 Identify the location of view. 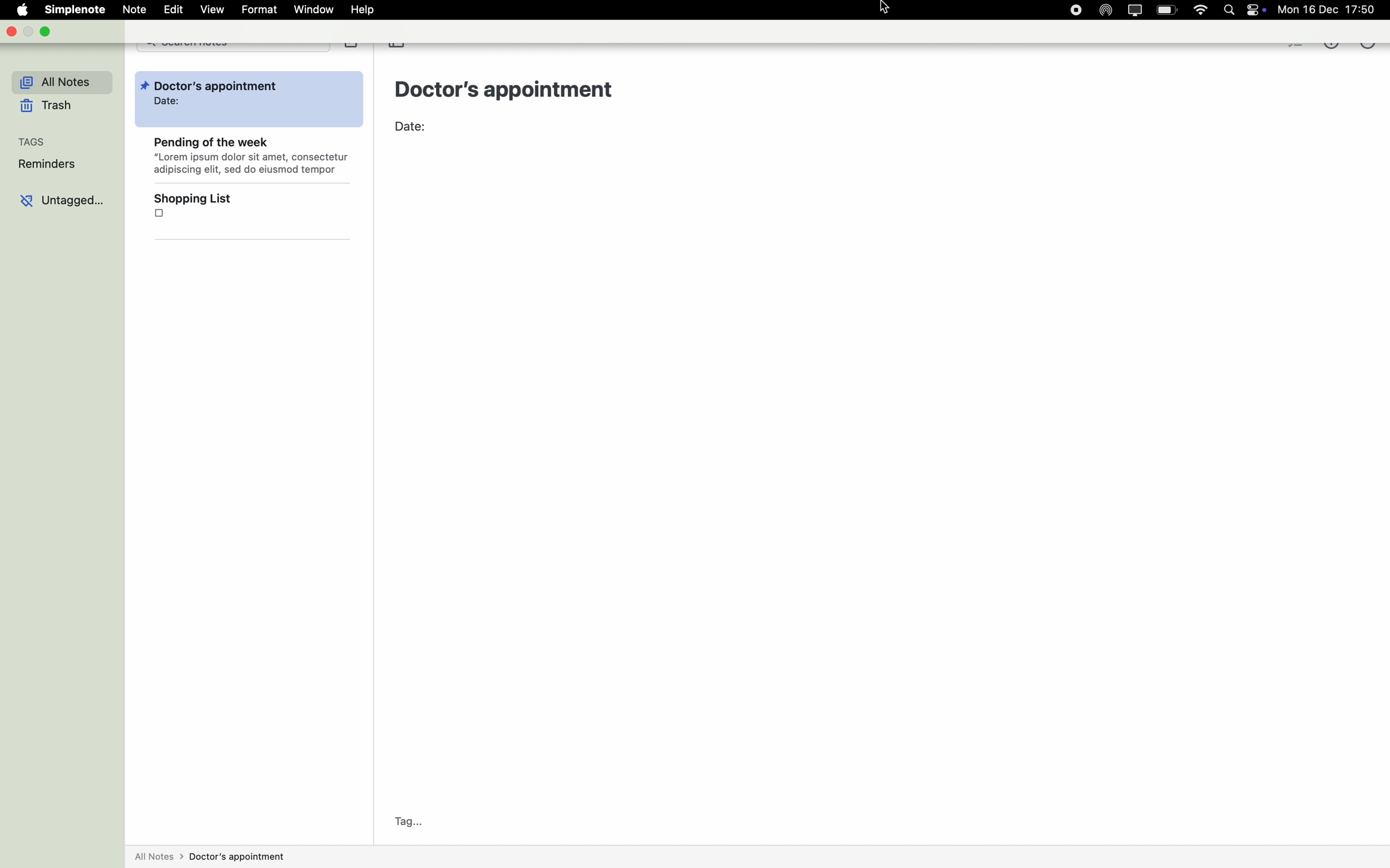
(213, 9).